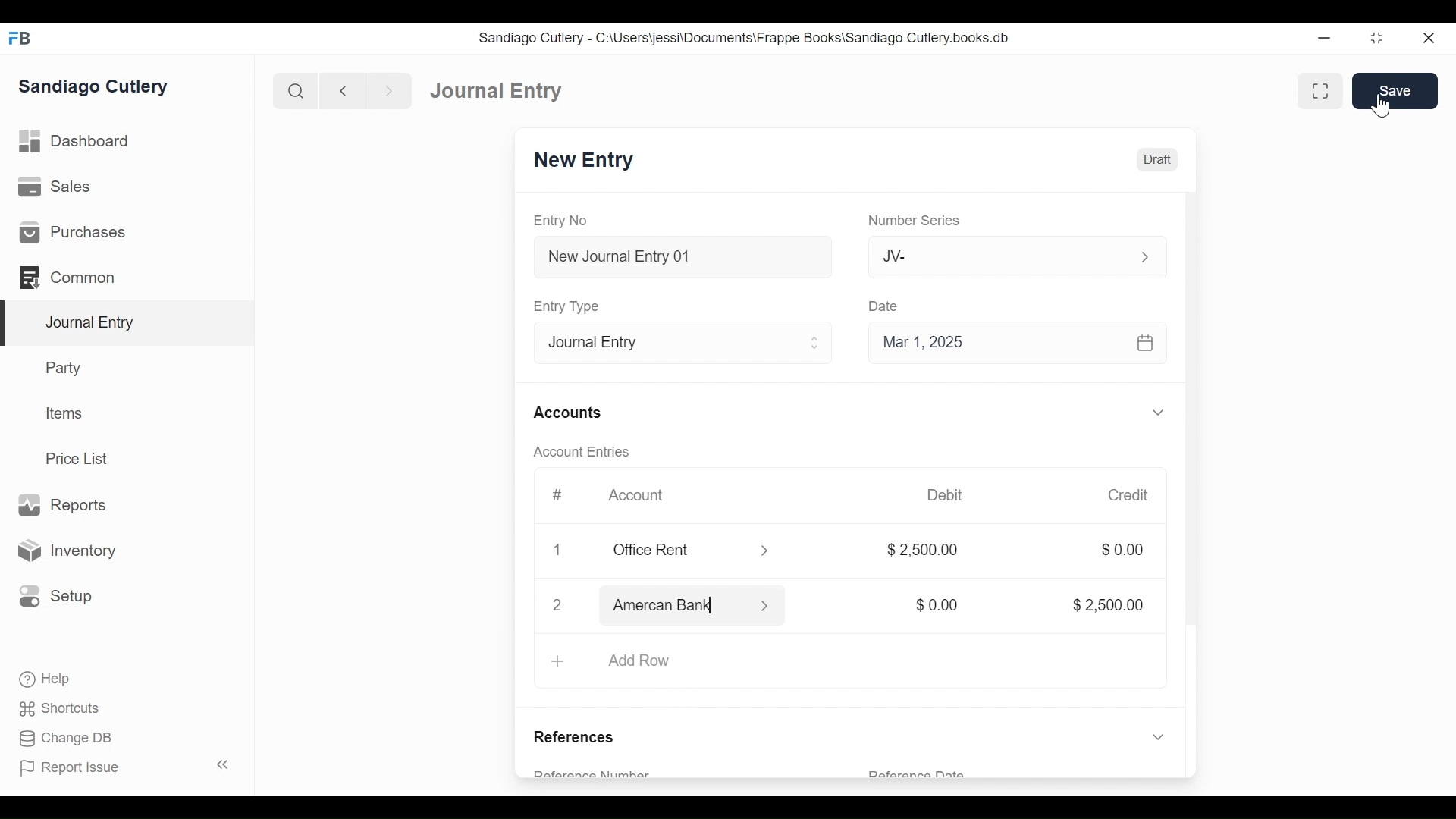 The height and width of the screenshot is (819, 1456). What do you see at coordinates (566, 306) in the screenshot?
I see `Entry Type` at bounding box center [566, 306].